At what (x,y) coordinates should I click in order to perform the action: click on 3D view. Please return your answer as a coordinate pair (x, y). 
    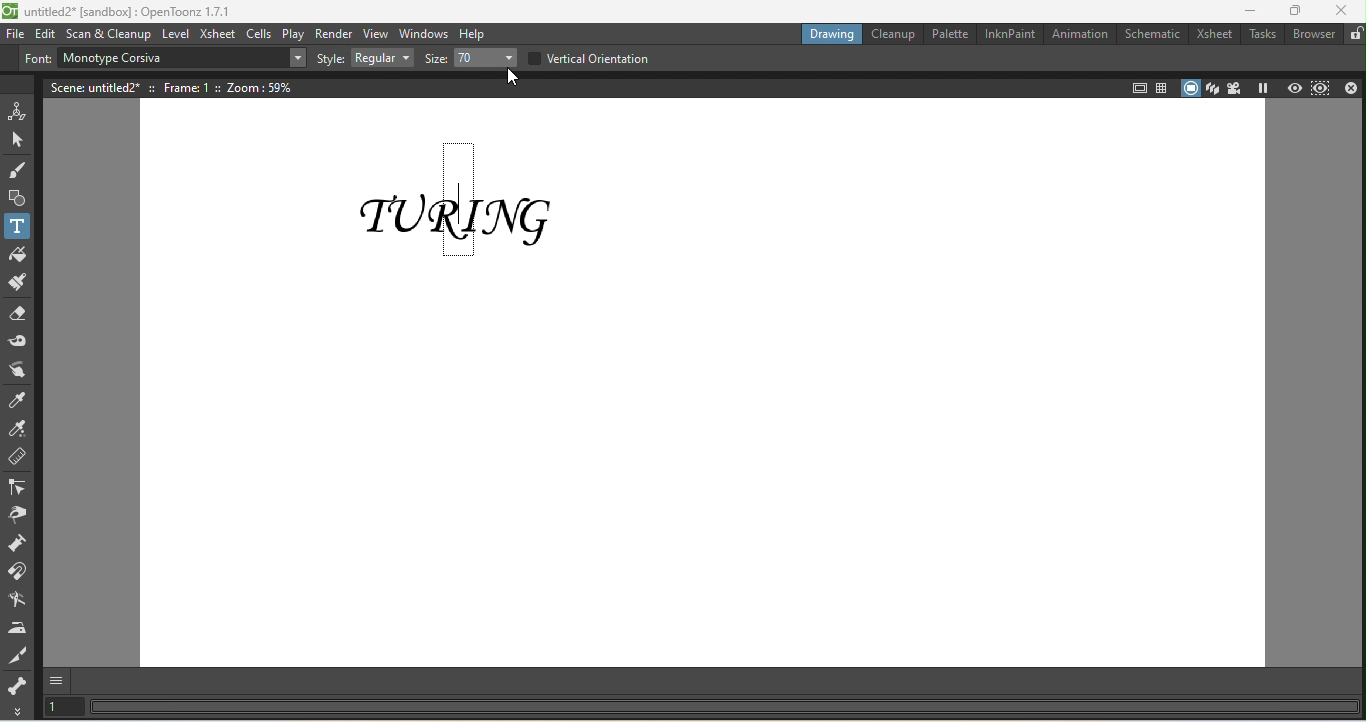
    Looking at the image, I should click on (1214, 86).